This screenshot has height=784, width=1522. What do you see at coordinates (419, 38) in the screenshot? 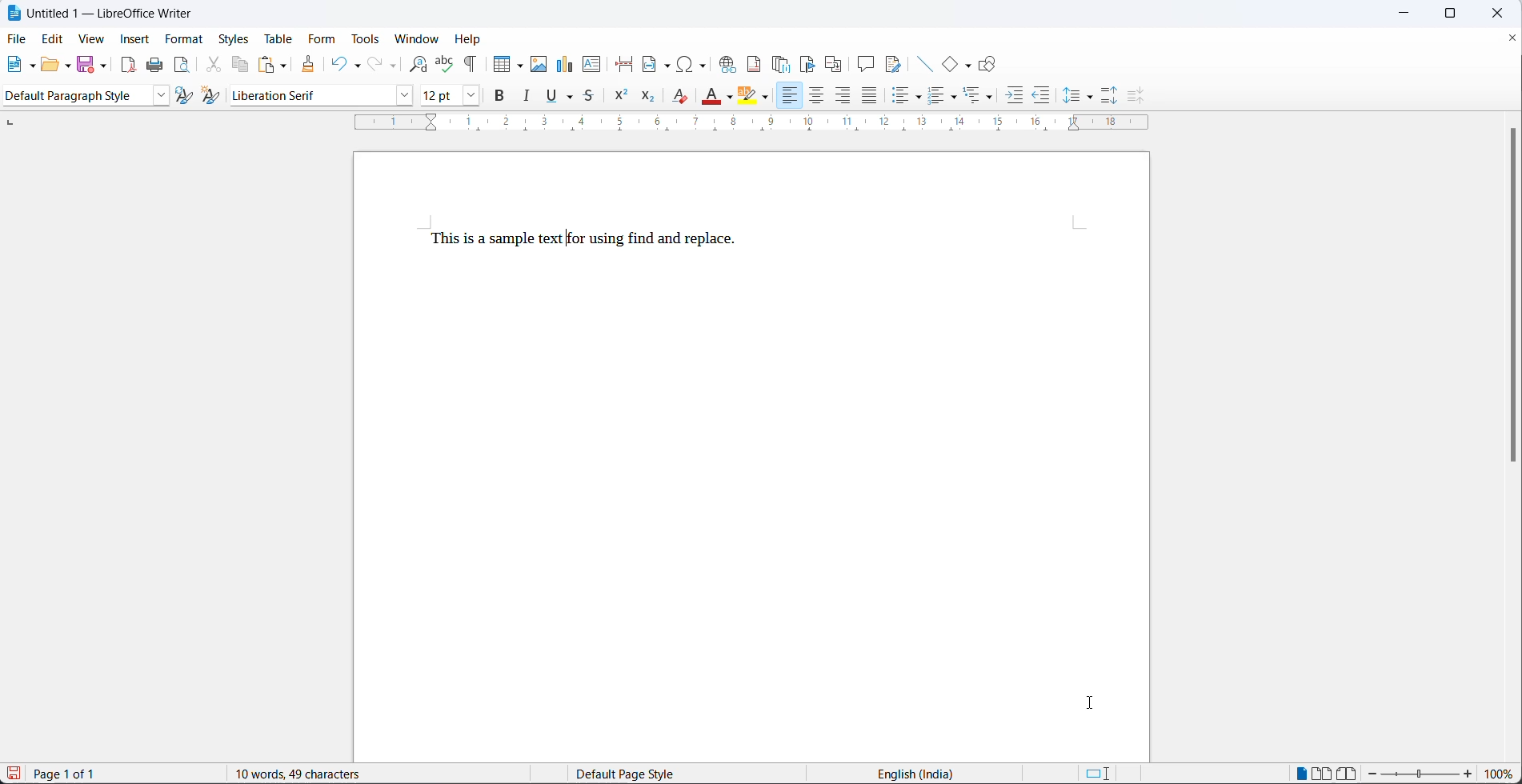
I see `window` at bounding box center [419, 38].